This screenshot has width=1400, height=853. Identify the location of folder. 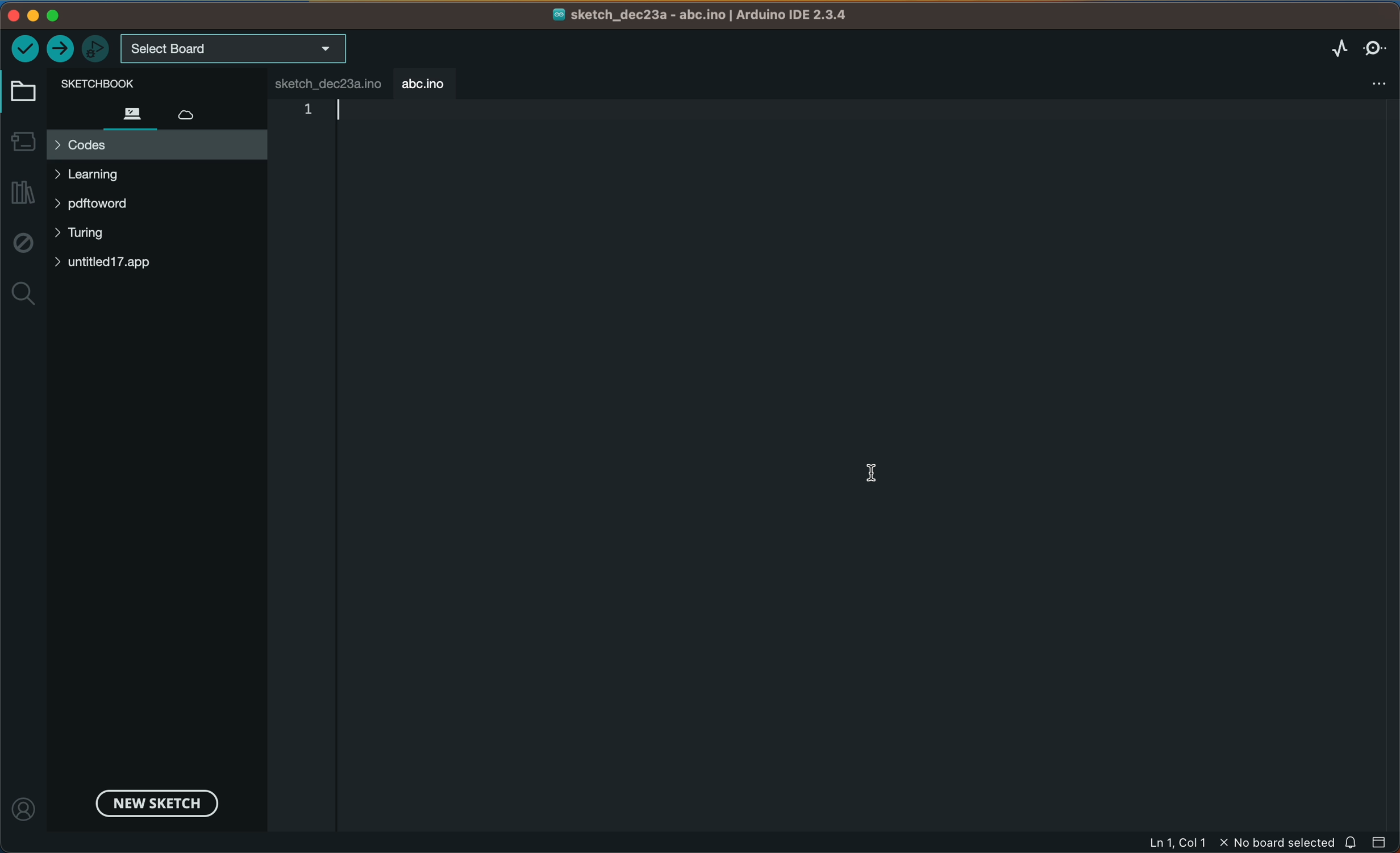
(26, 92).